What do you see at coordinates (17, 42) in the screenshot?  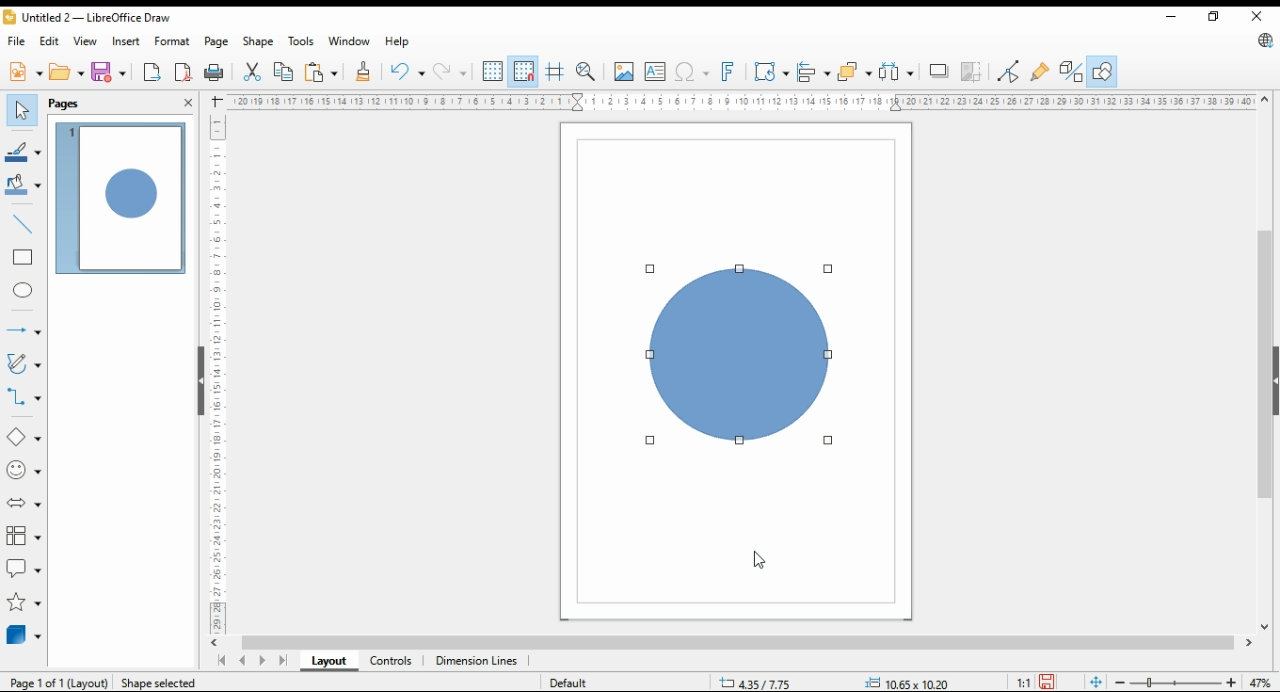 I see `file` at bounding box center [17, 42].